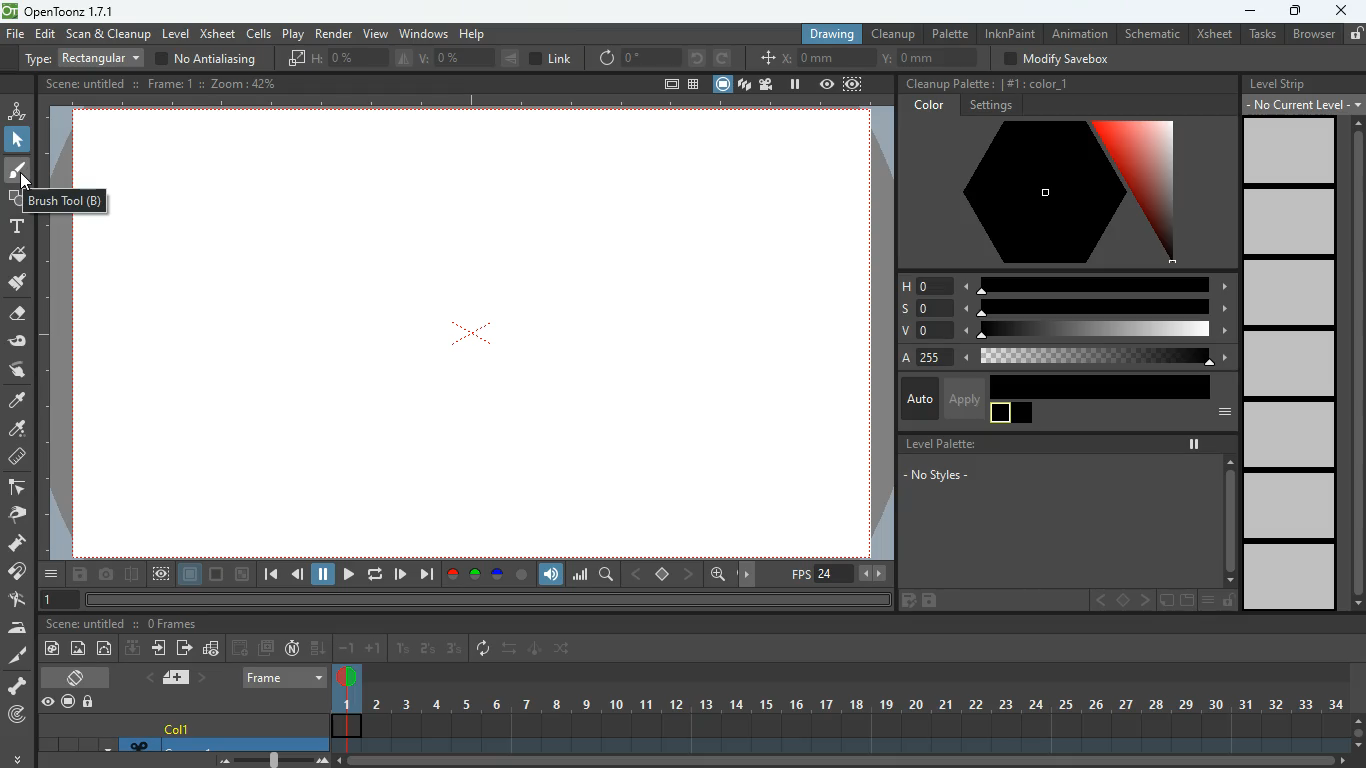 Image resolution: width=1366 pixels, height=768 pixels. I want to click on brush, so click(19, 171).